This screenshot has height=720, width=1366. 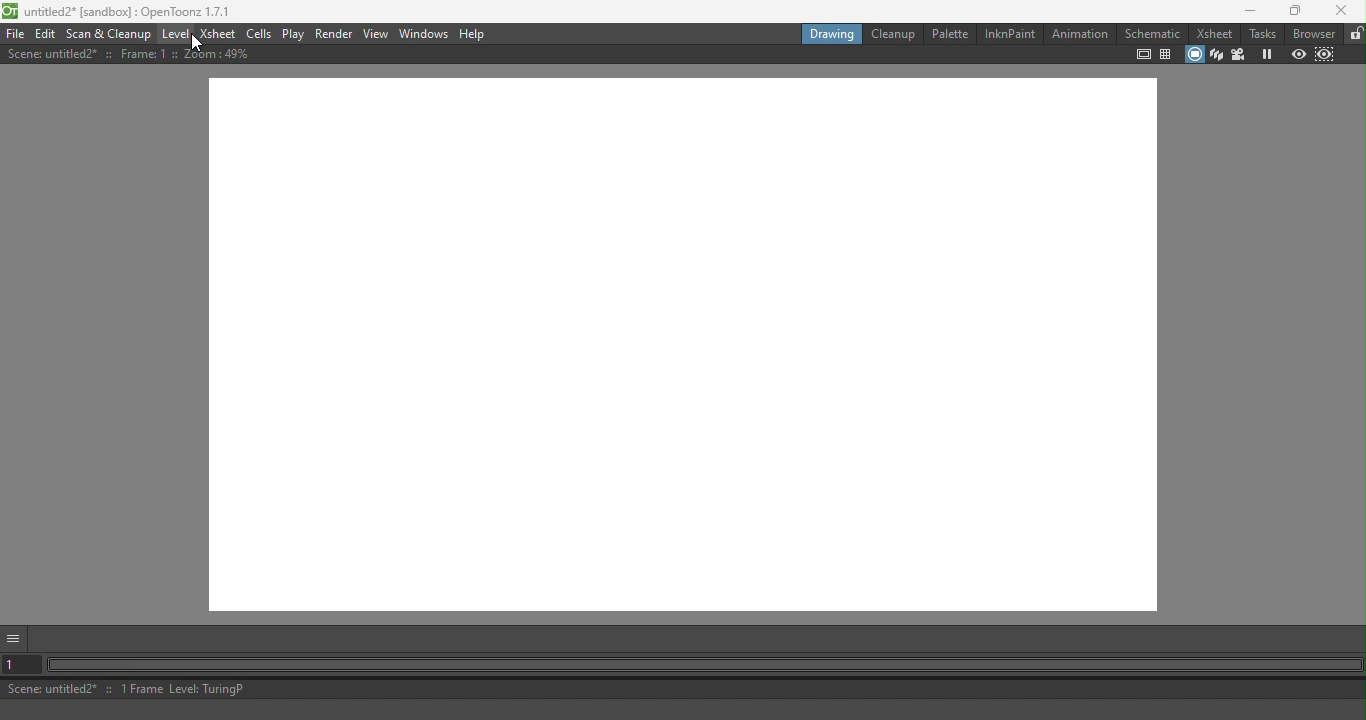 What do you see at coordinates (331, 34) in the screenshot?
I see `Render` at bounding box center [331, 34].